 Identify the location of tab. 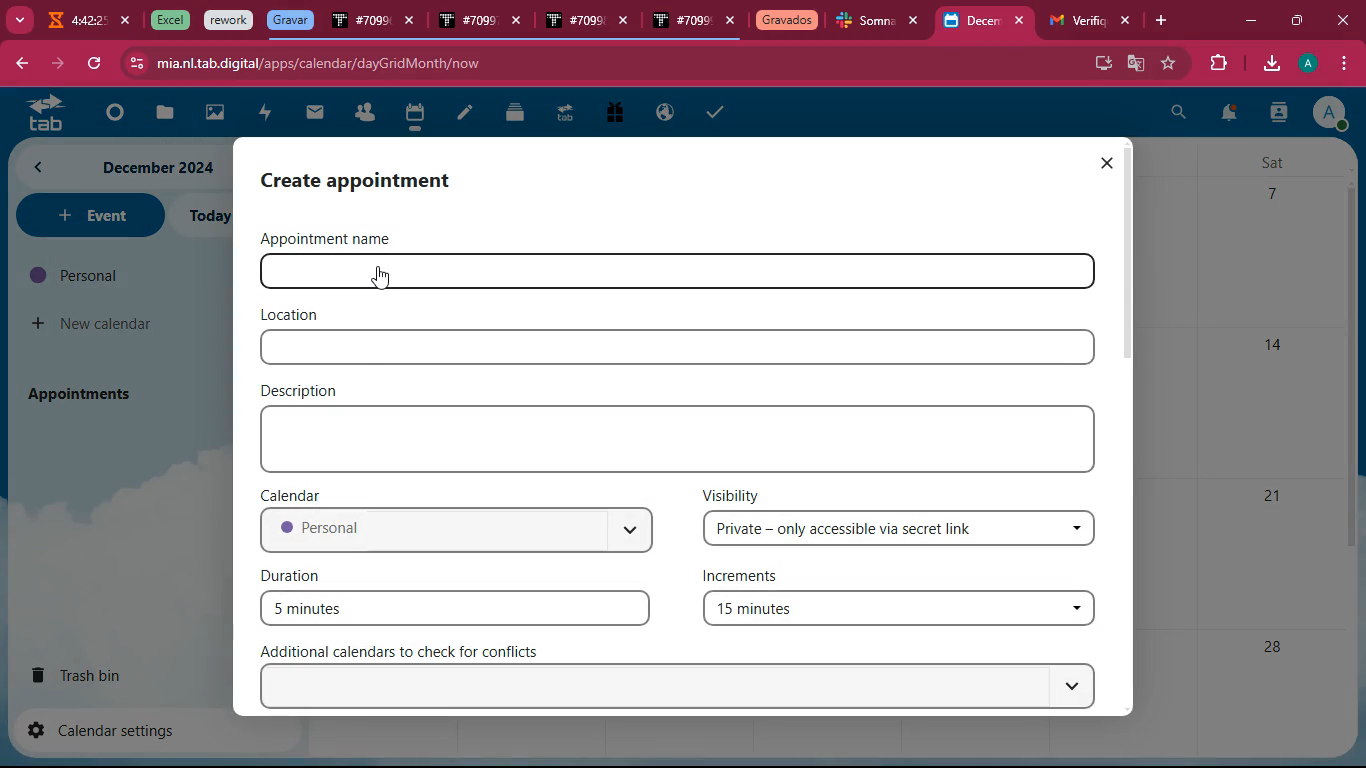
(1074, 21).